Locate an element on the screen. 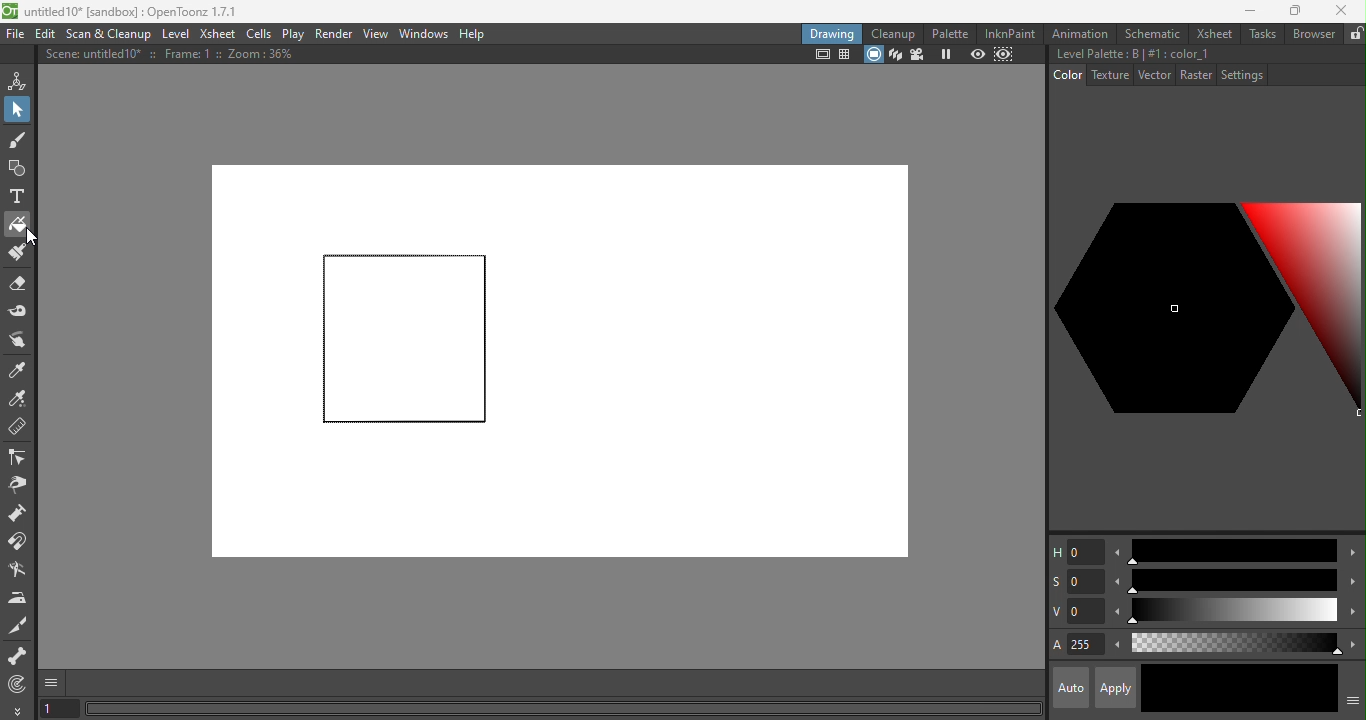  Increase is located at coordinates (1352, 643).